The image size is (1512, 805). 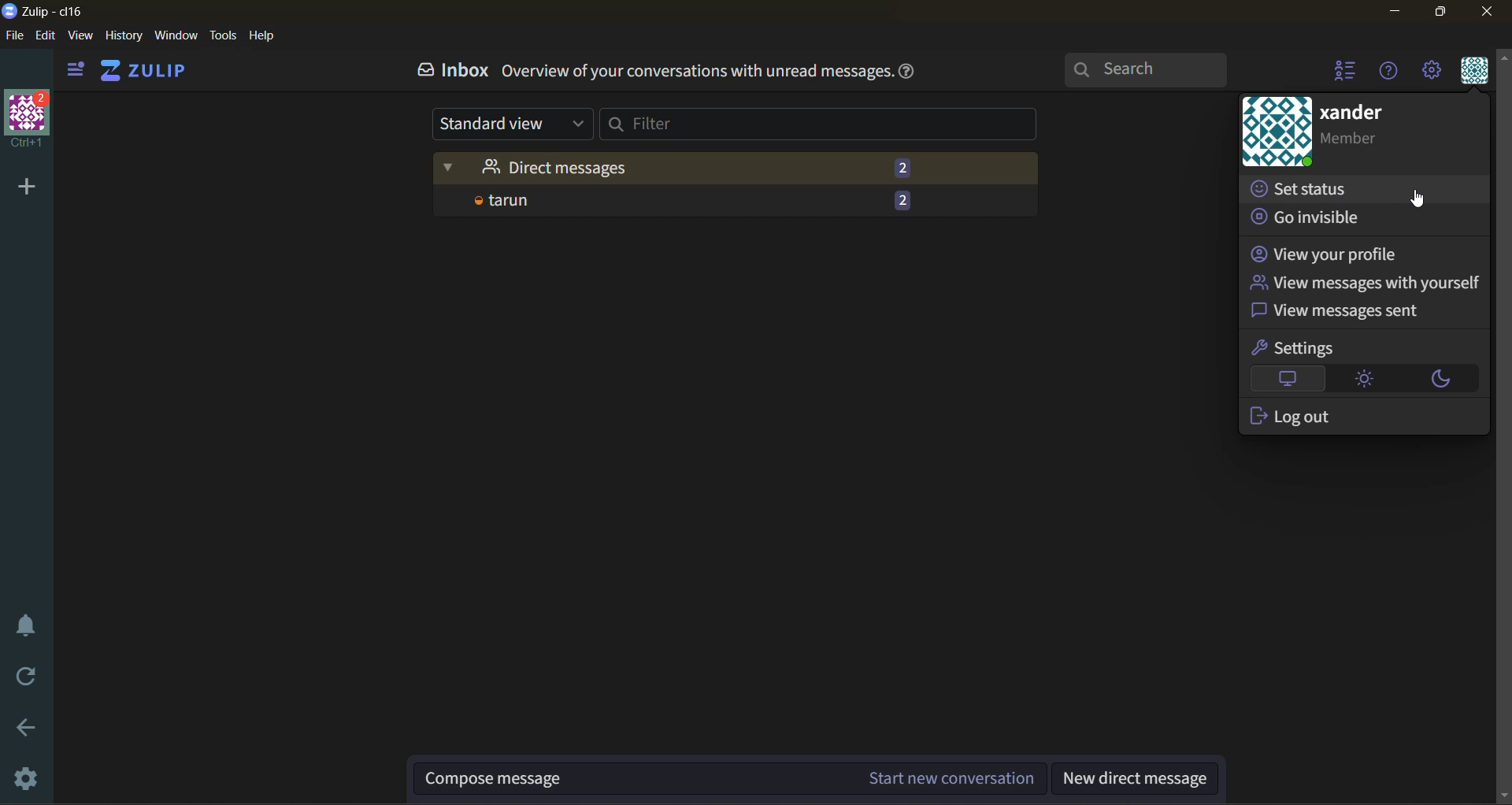 What do you see at coordinates (26, 730) in the screenshot?
I see `go back` at bounding box center [26, 730].